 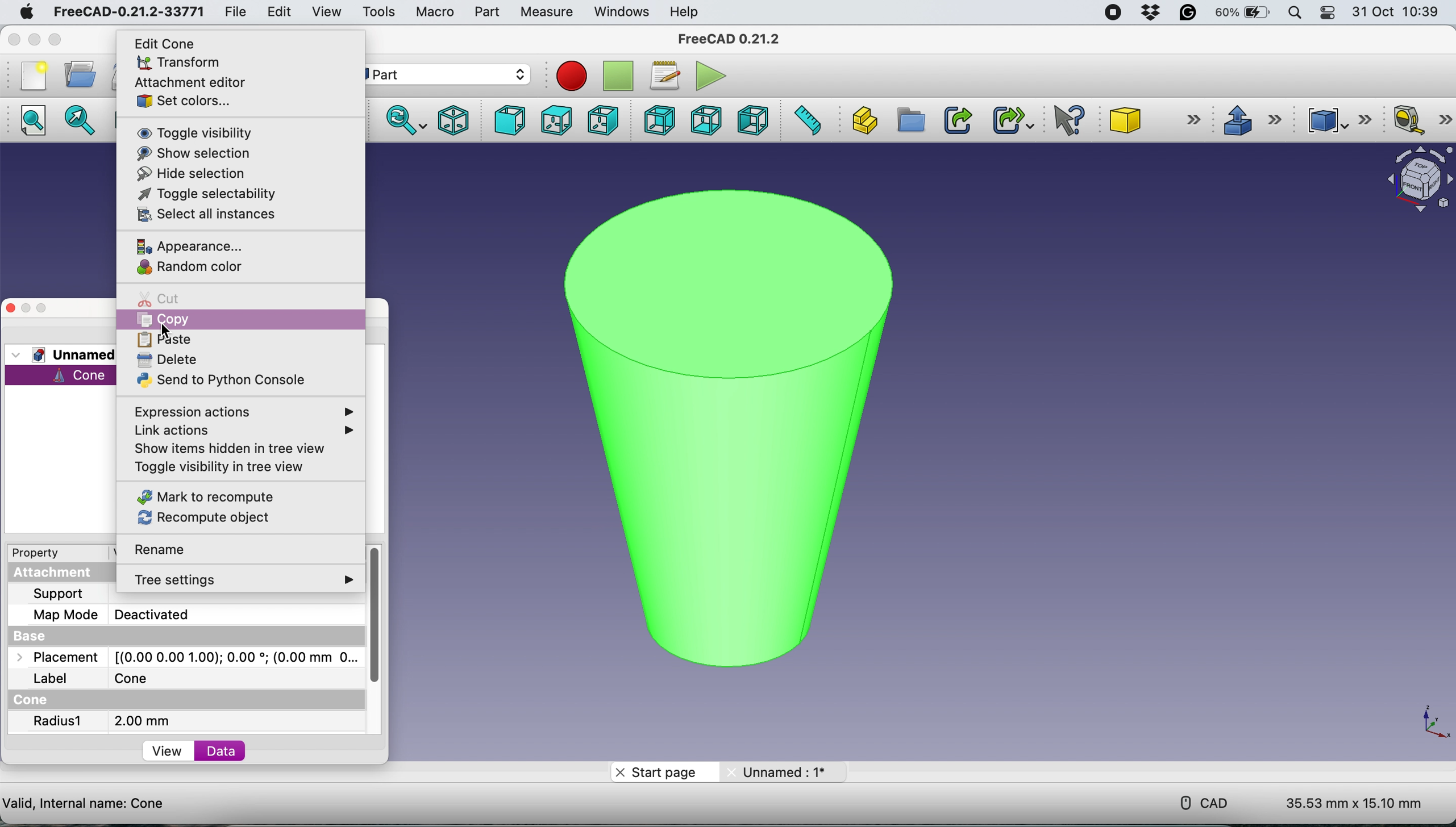 I want to click on label: Cone, so click(x=101, y=679).